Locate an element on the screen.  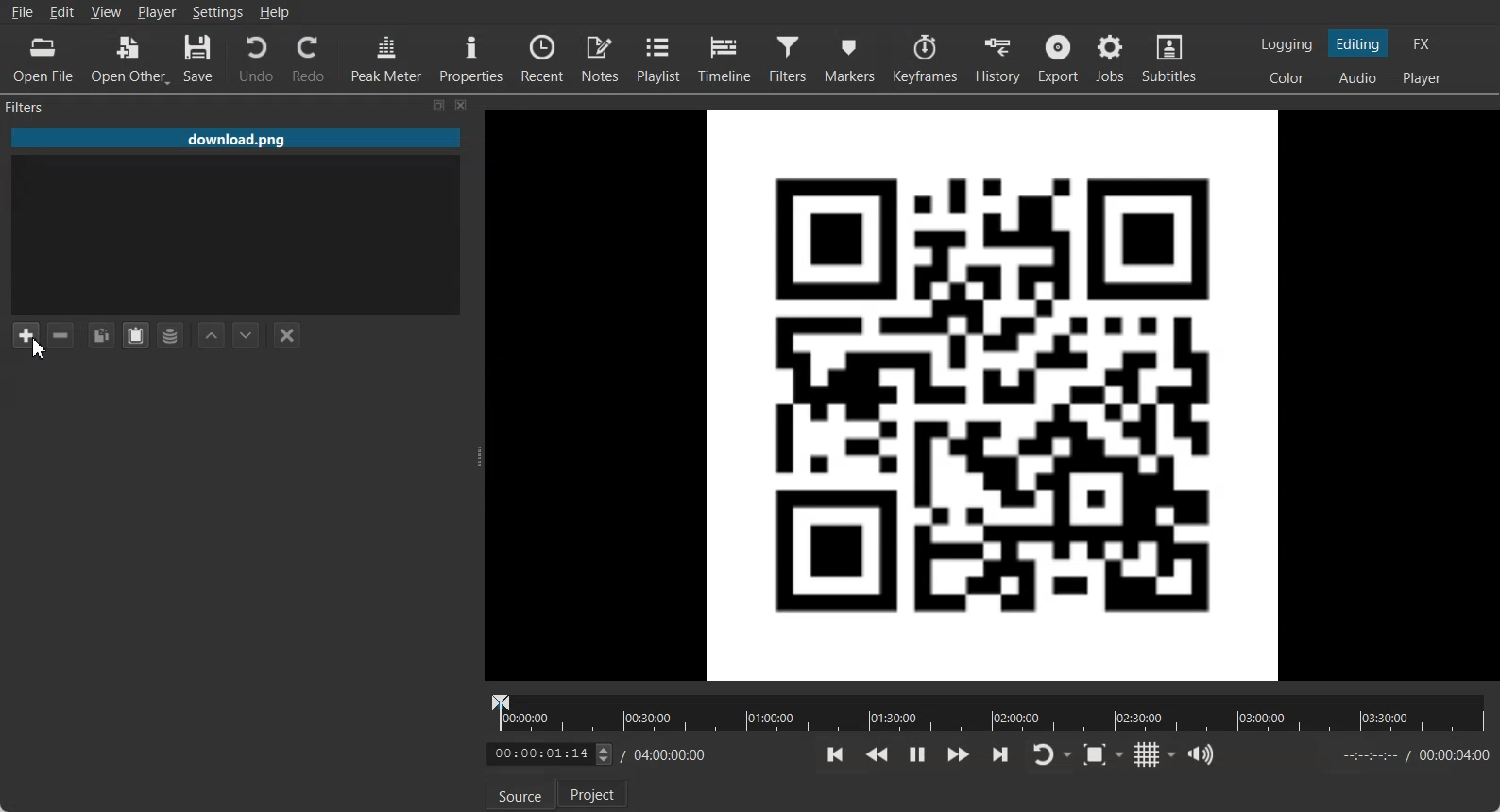
Source is located at coordinates (516, 796).